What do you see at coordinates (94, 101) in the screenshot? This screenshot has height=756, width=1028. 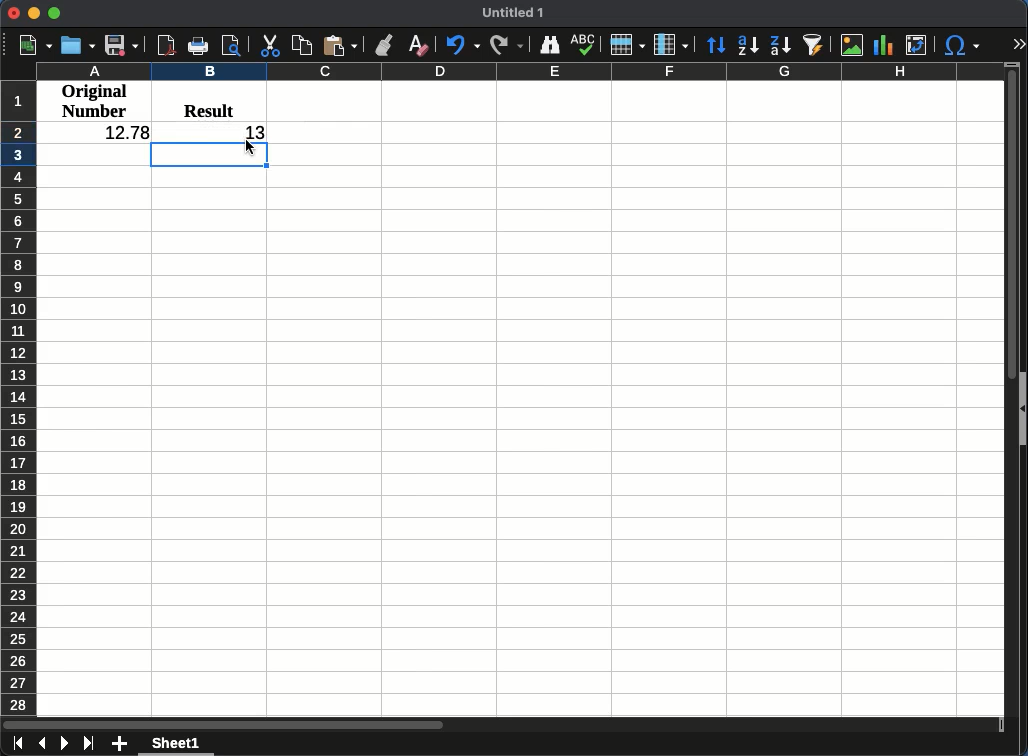 I see `original number` at bounding box center [94, 101].